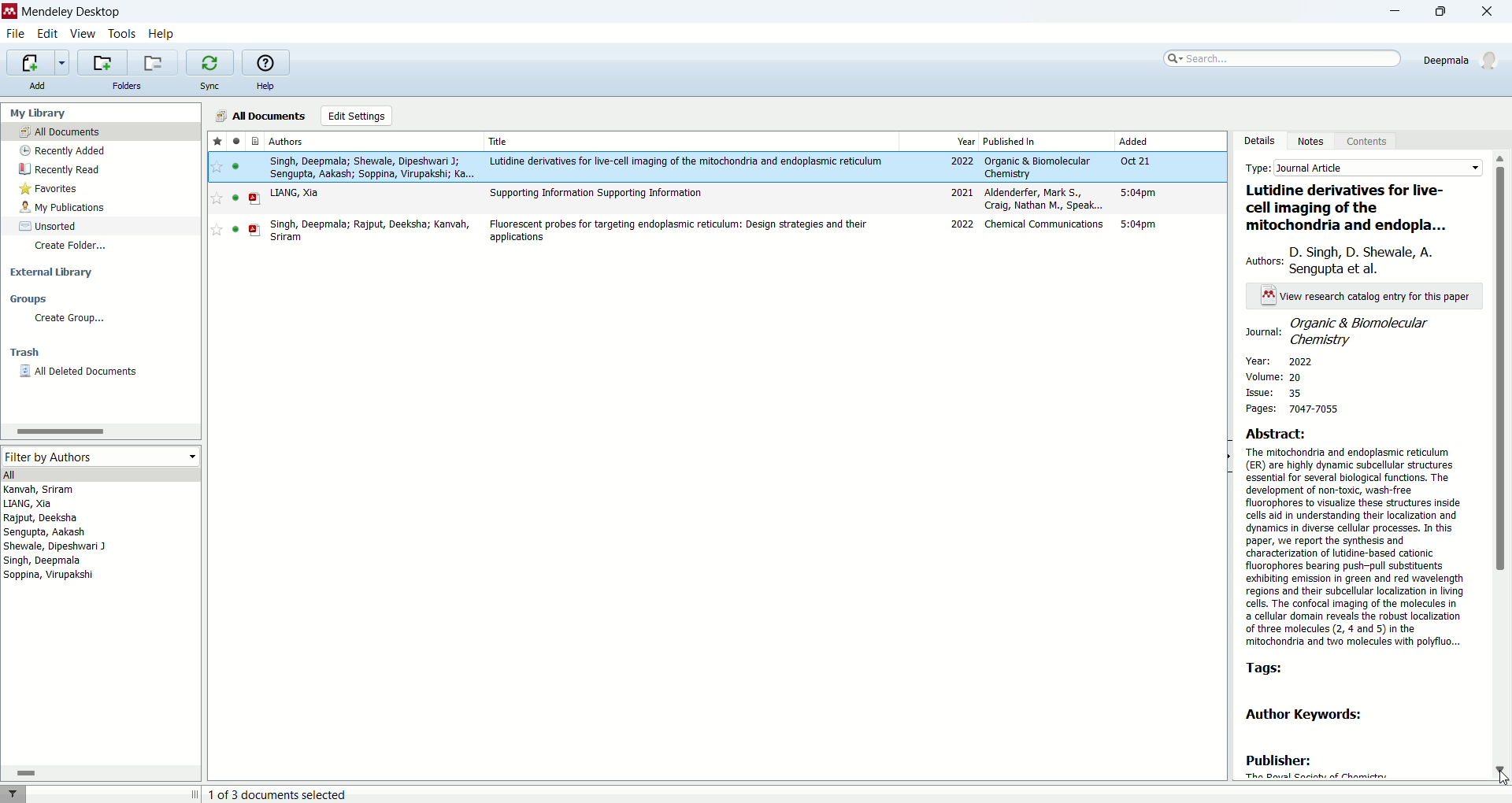  What do you see at coordinates (101, 131) in the screenshot?
I see `all documents` at bounding box center [101, 131].